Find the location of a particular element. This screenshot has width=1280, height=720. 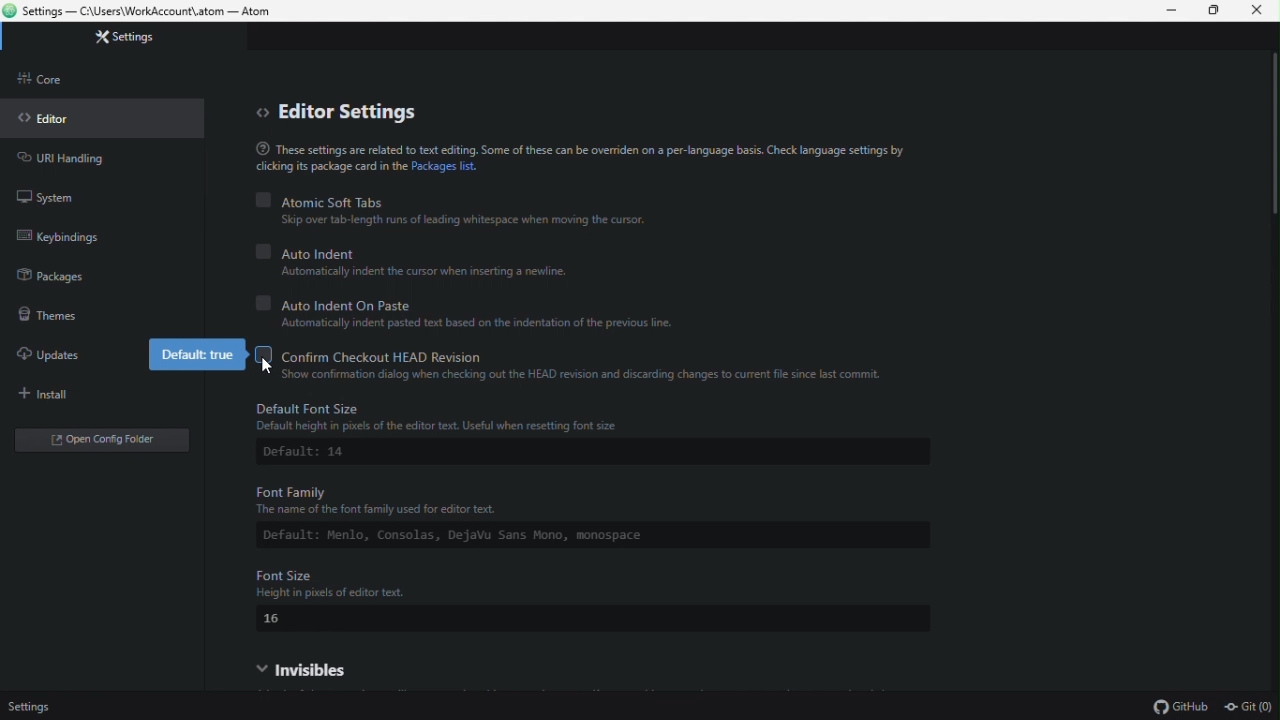

System is located at coordinates (59, 199).